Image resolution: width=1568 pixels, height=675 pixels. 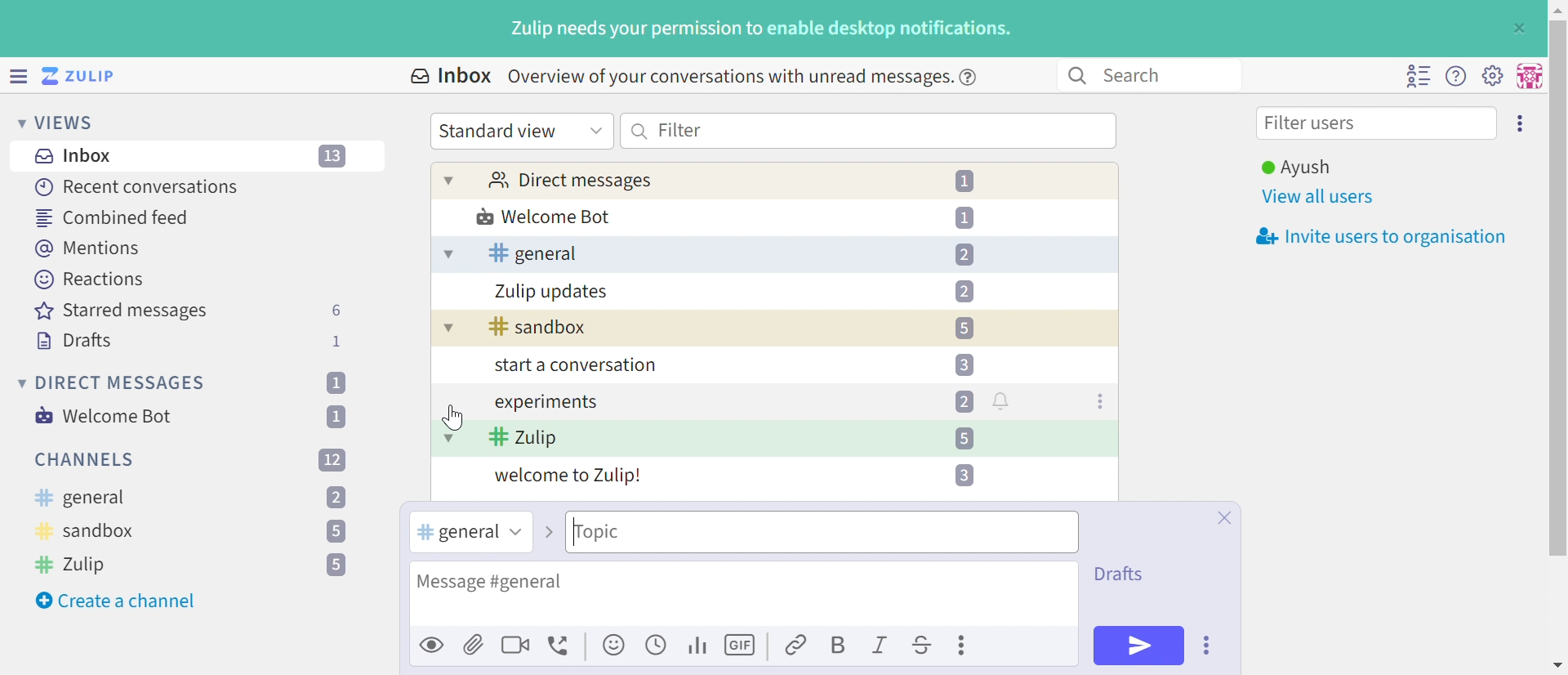 What do you see at coordinates (1208, 646) in the screenshot?
I see `Send options` at bounding box center [1208, 646].